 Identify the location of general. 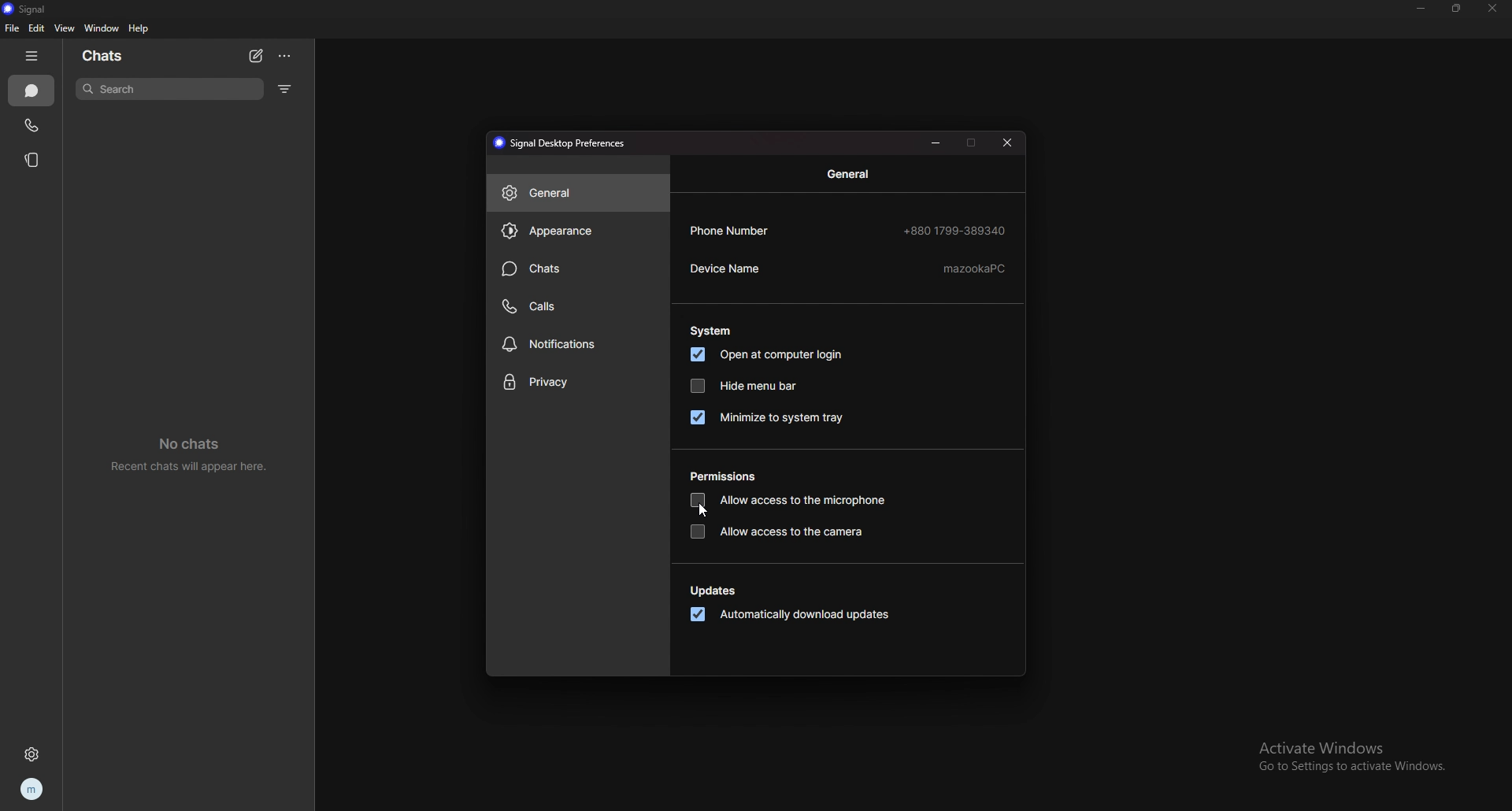
(575, 192).